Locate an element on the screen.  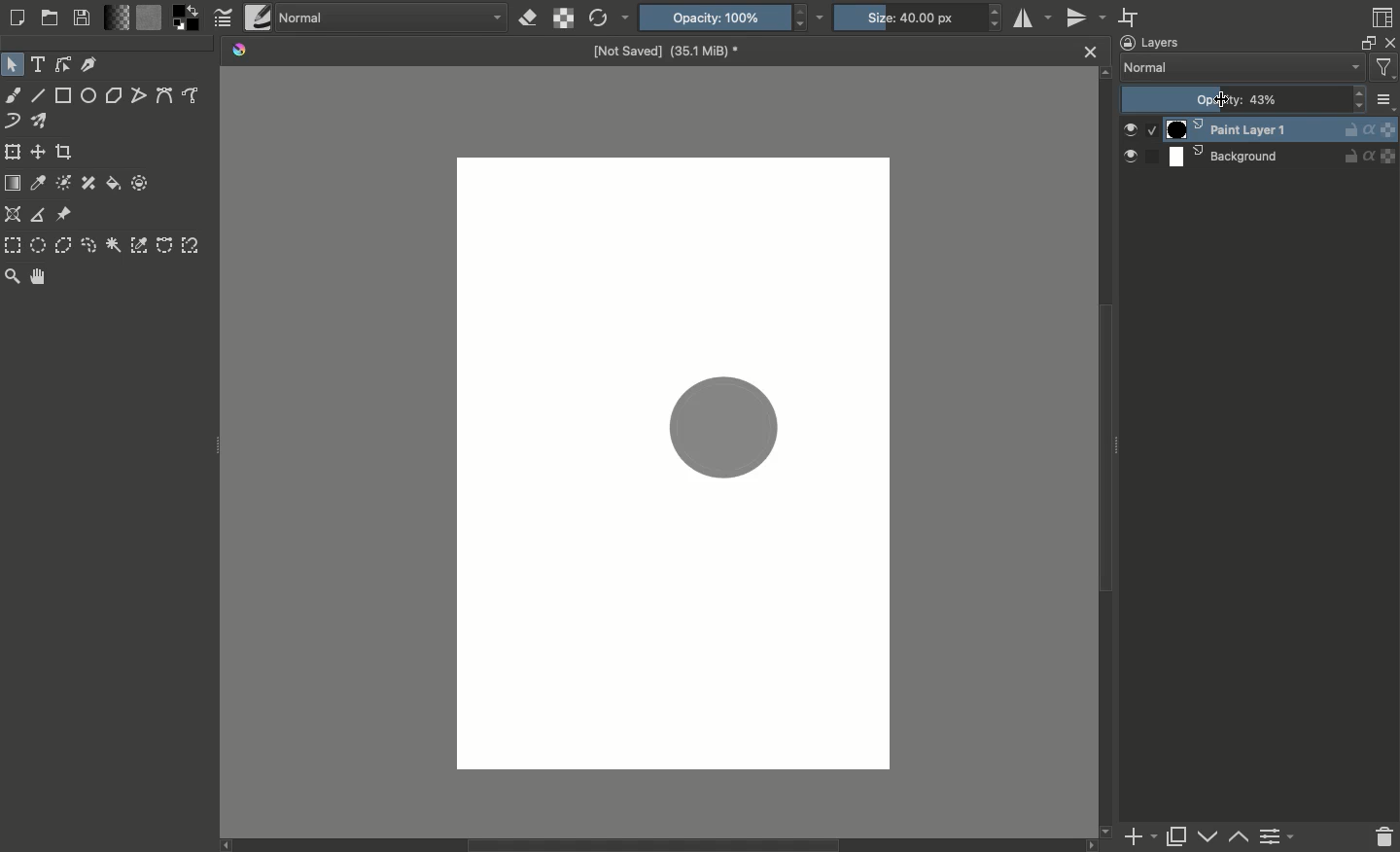
more is located at coordinates (1385, 101).